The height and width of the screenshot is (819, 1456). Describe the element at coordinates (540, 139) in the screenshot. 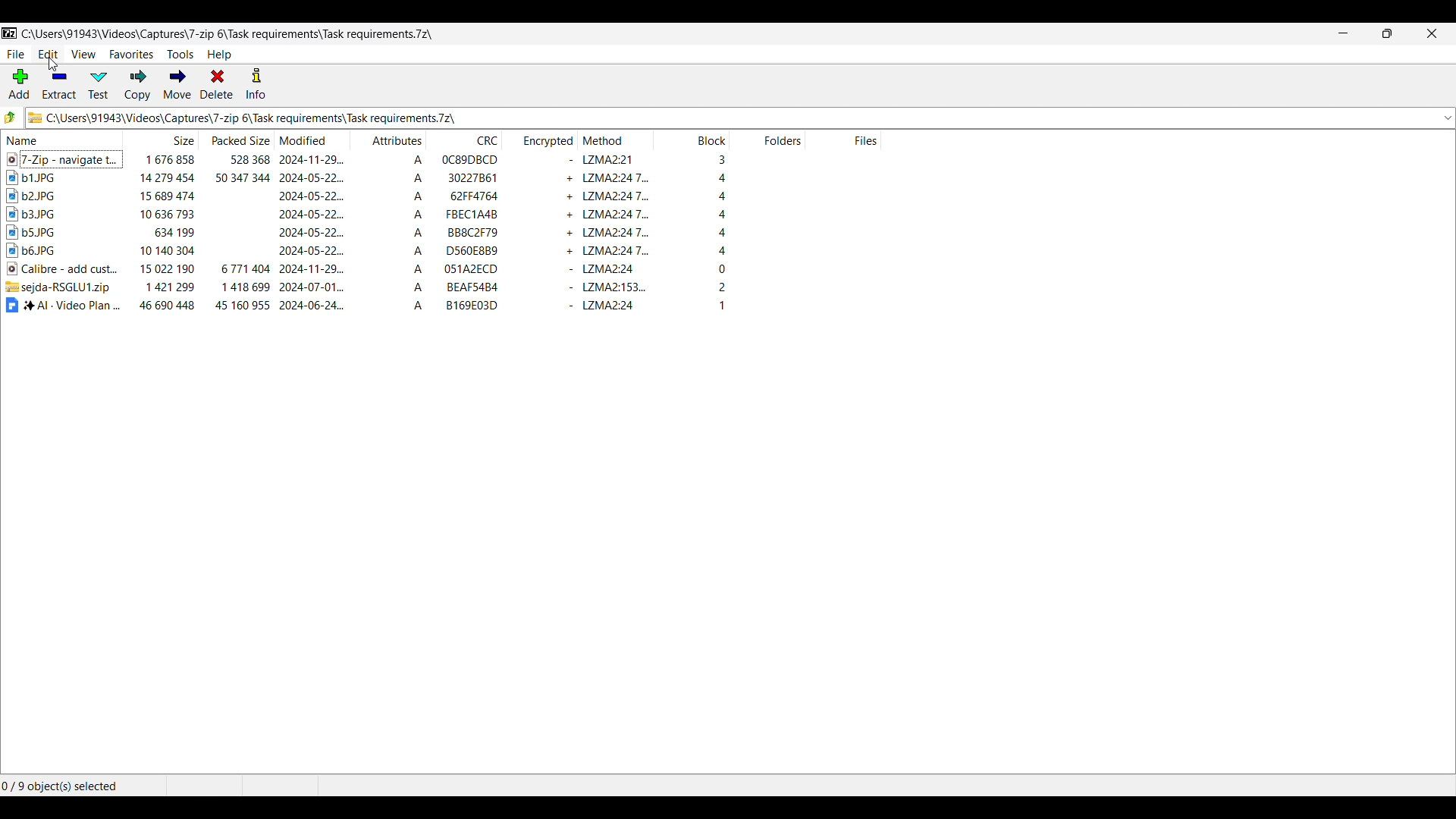

I see `Encrypted column` at that location.